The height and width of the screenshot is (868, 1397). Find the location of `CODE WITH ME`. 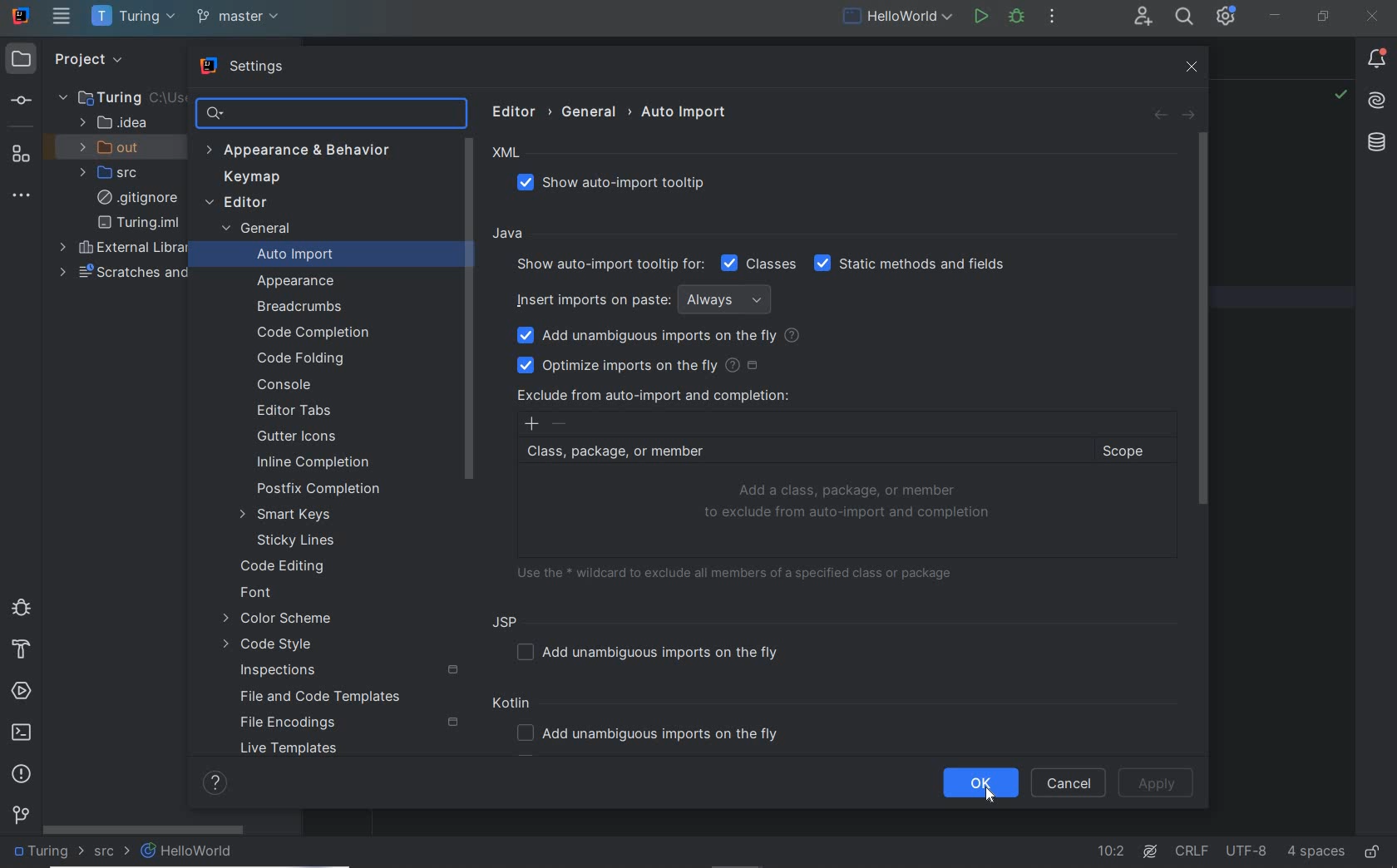

CODE WITH ME is located at coordinates (1142, 17).